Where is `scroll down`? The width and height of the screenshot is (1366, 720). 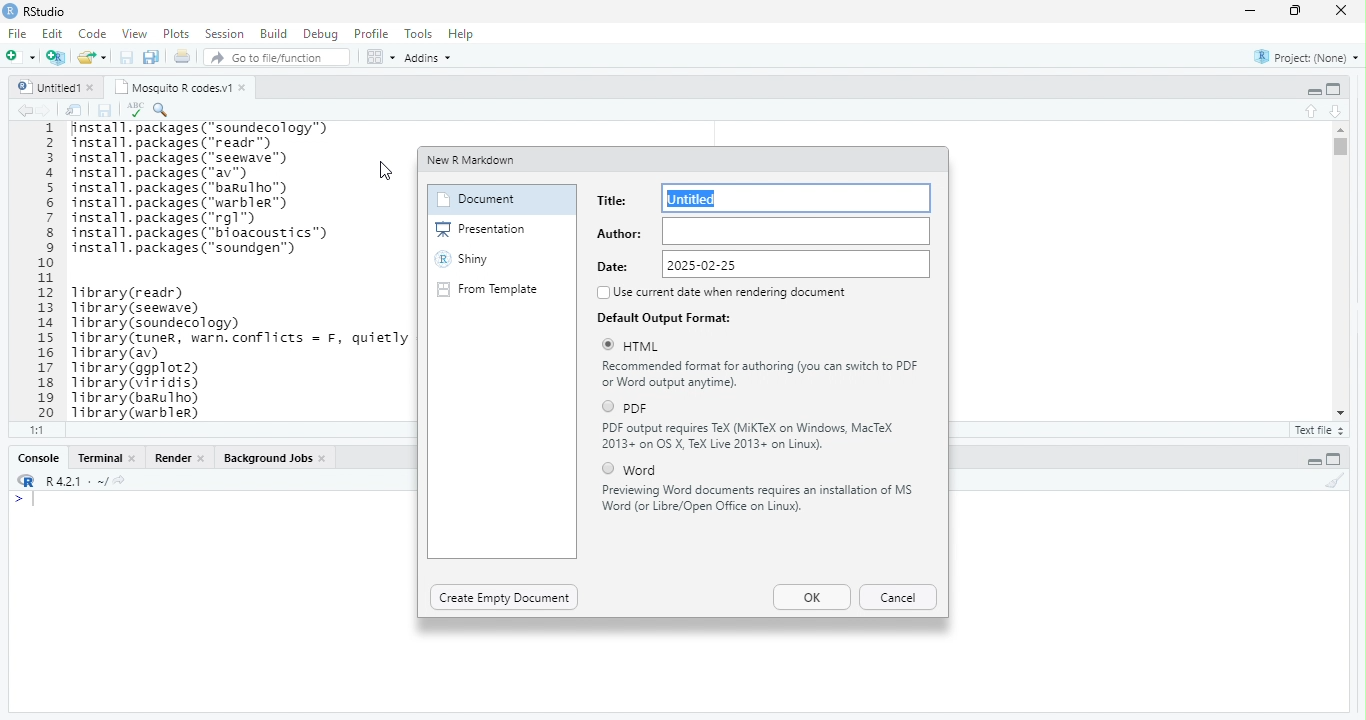
scroll down is located at coordinates (1342, 413).